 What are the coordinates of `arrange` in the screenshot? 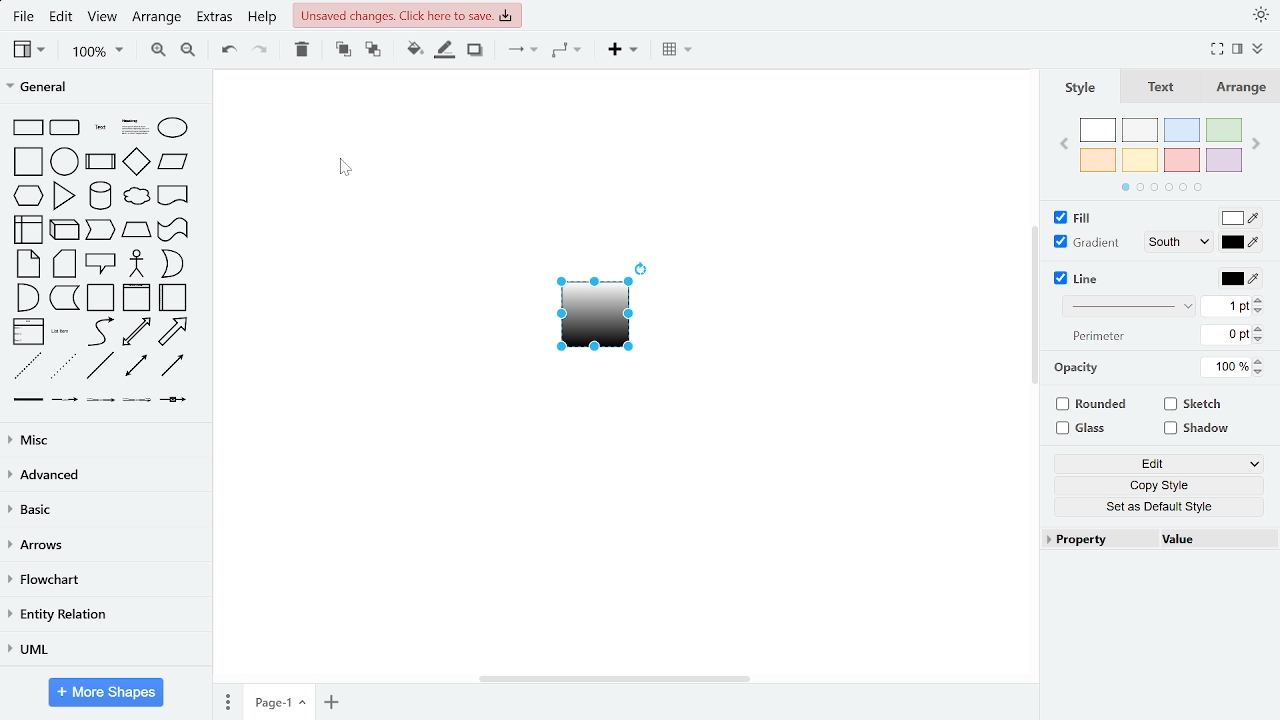 It's located at (1240, 89).